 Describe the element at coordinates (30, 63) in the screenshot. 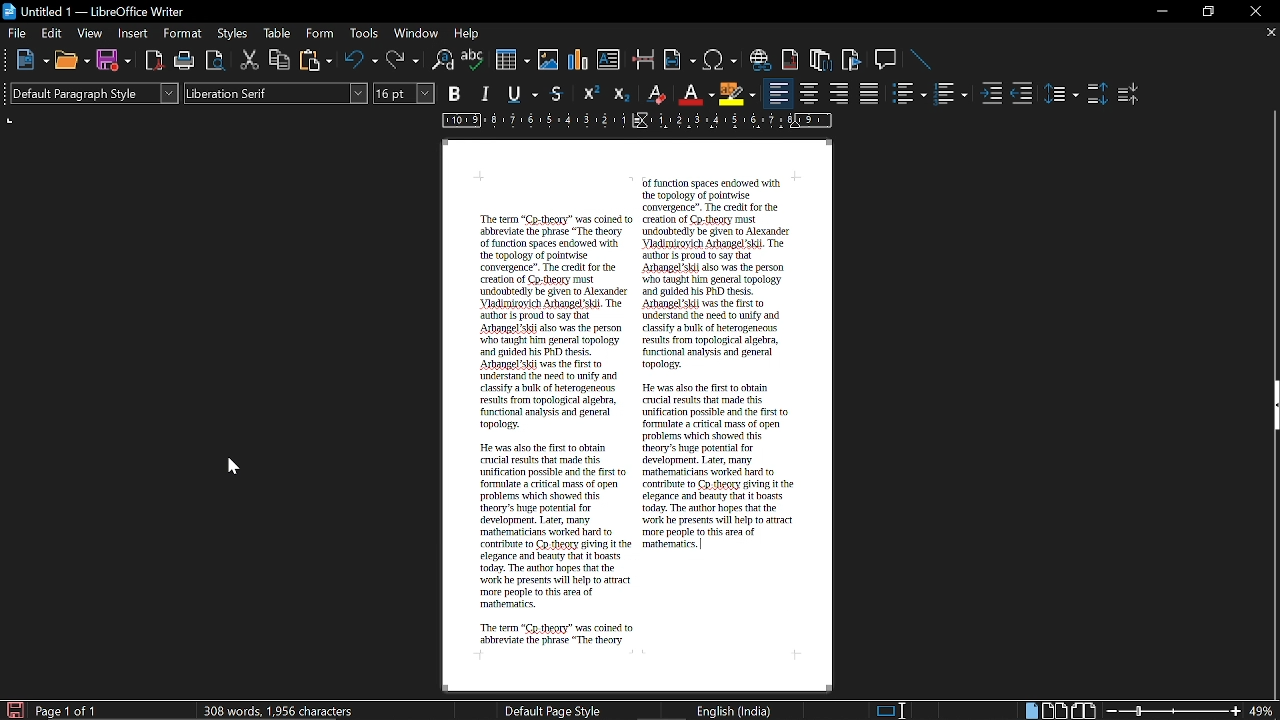

I see `New` at that location.